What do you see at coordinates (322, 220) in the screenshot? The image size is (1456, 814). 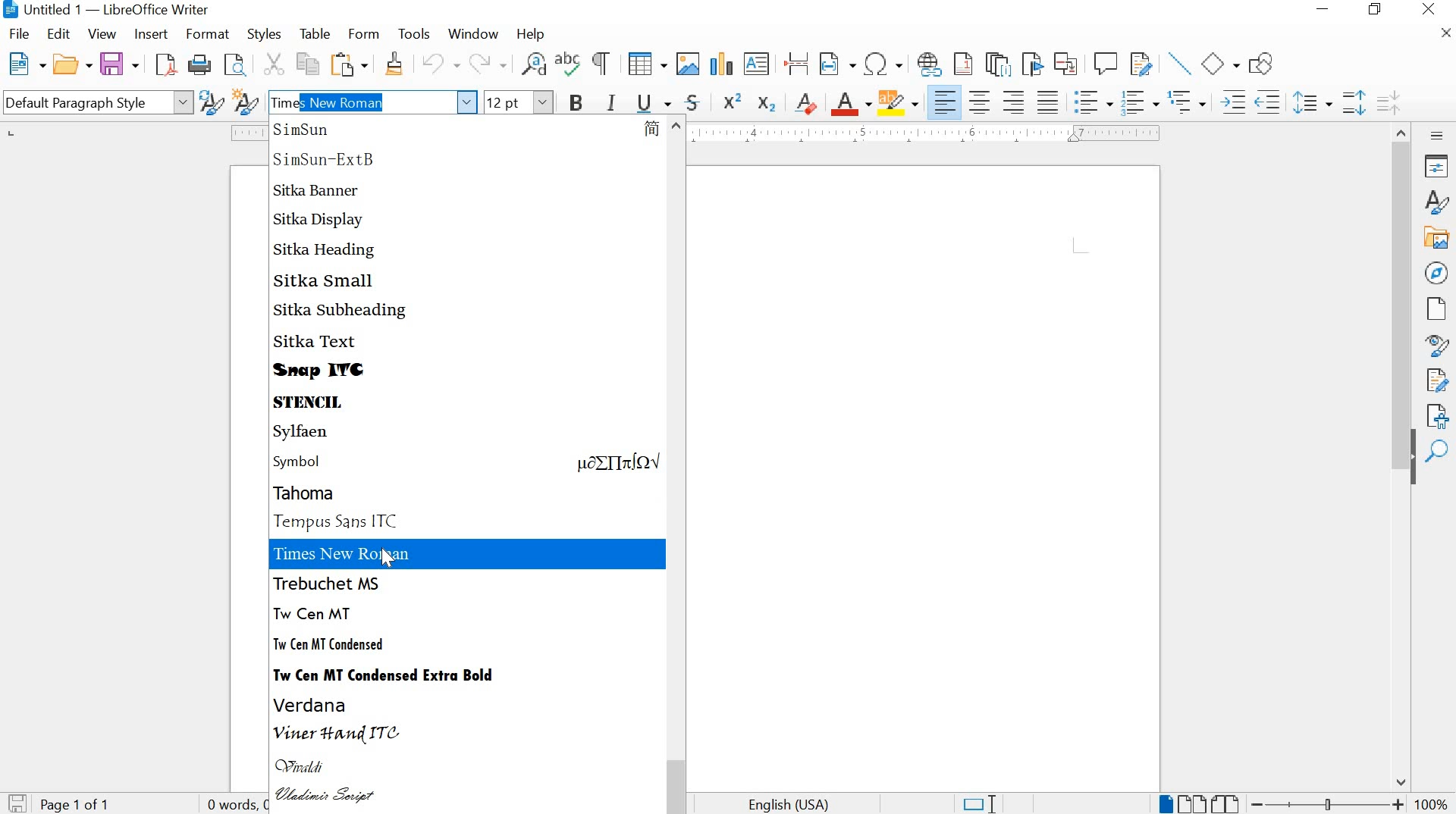 I see `SITKA DISPLAY` at bounding box center [322, 220].